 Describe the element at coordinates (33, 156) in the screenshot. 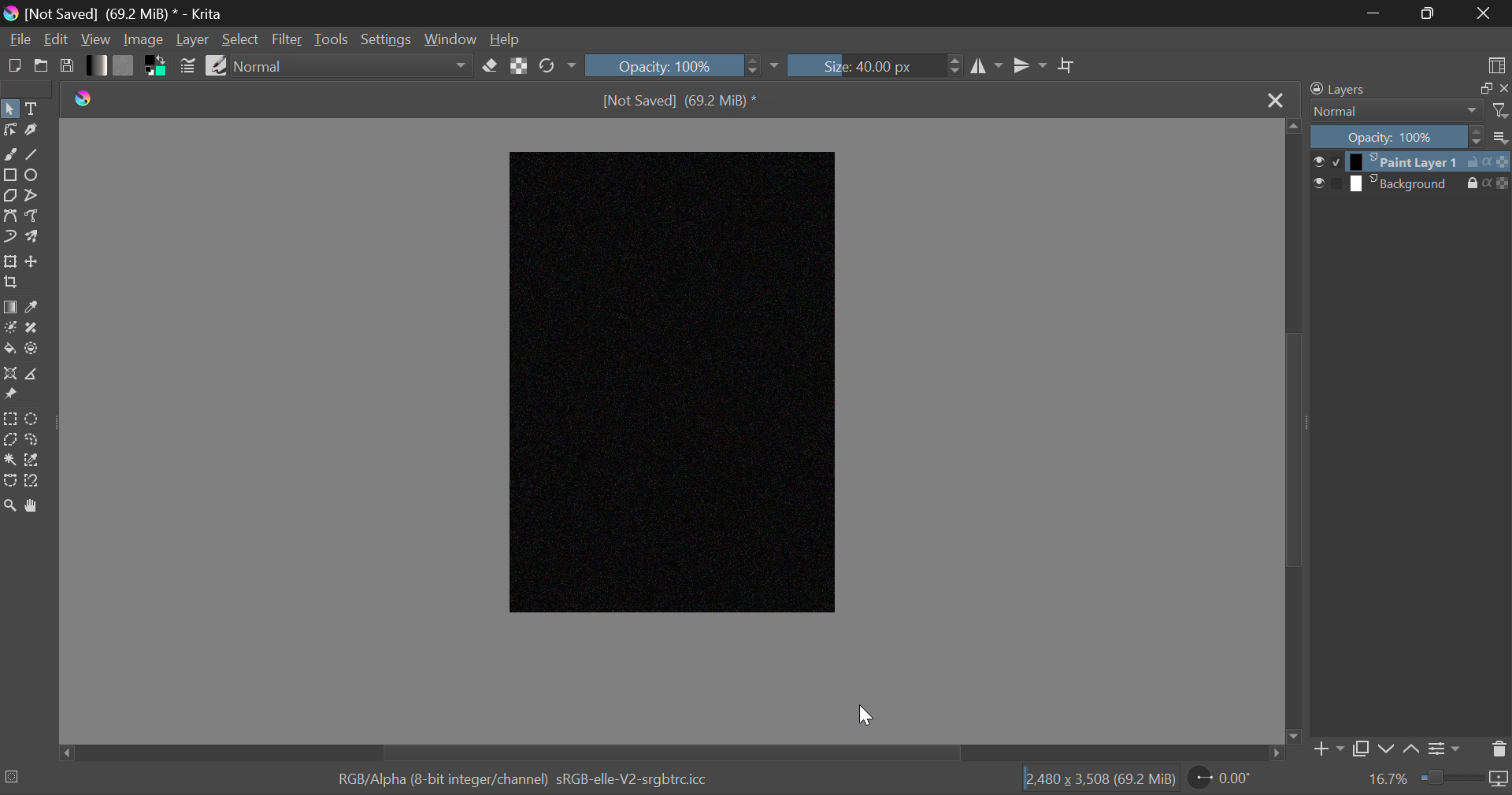

I see `Line` at that location.